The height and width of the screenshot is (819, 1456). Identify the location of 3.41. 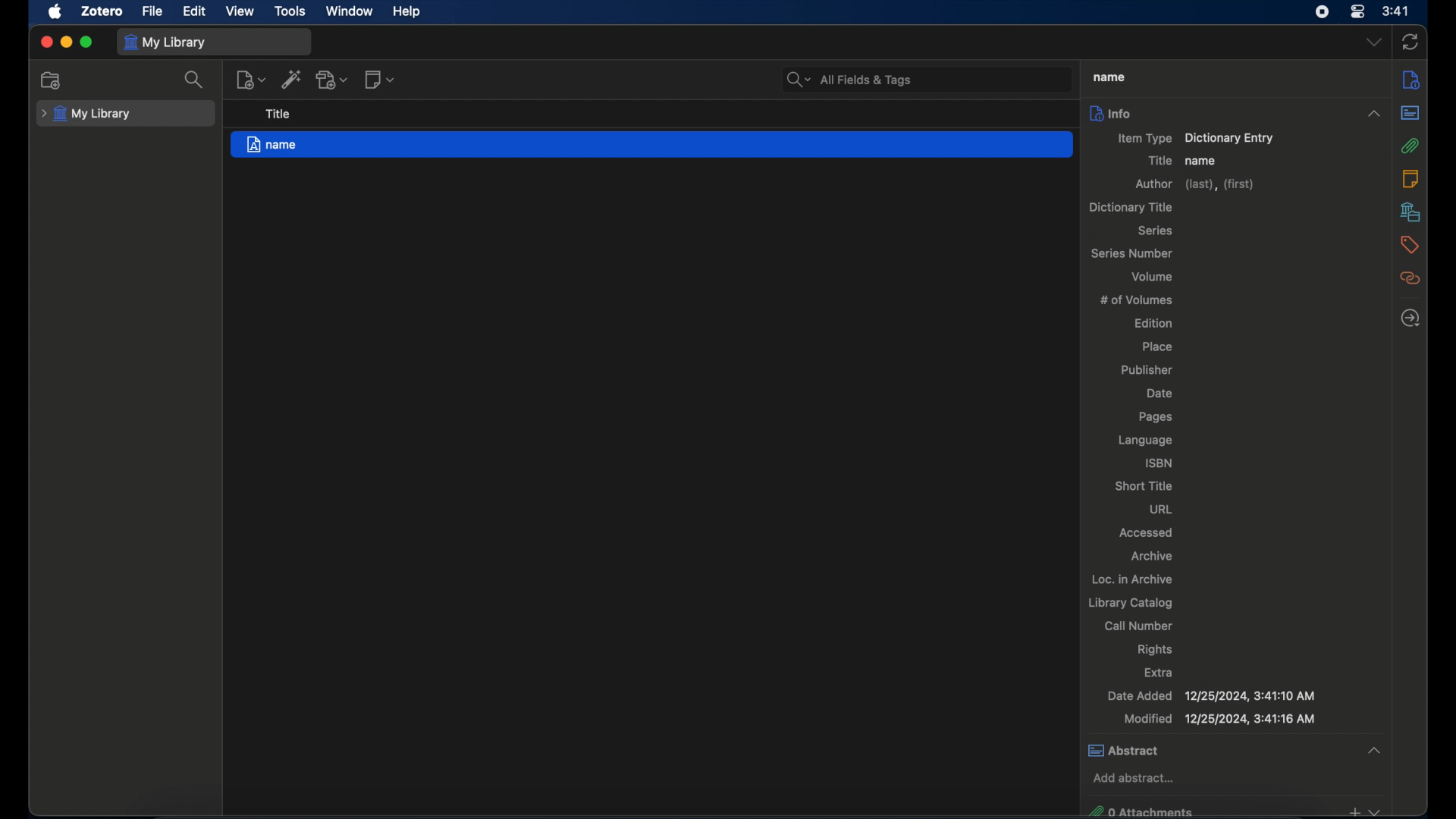
(1396, 12).